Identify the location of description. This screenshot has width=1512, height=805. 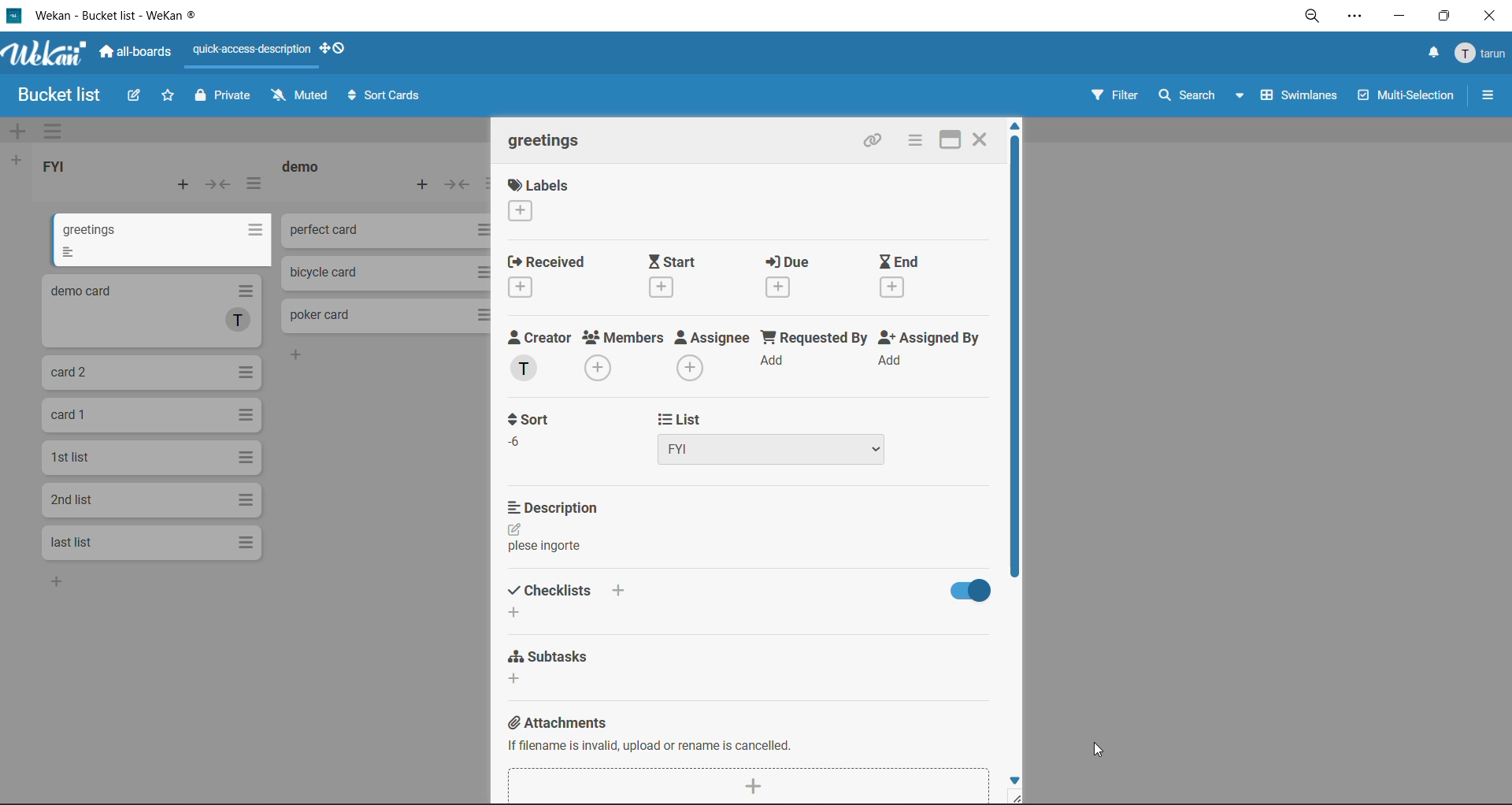
(555, 507).